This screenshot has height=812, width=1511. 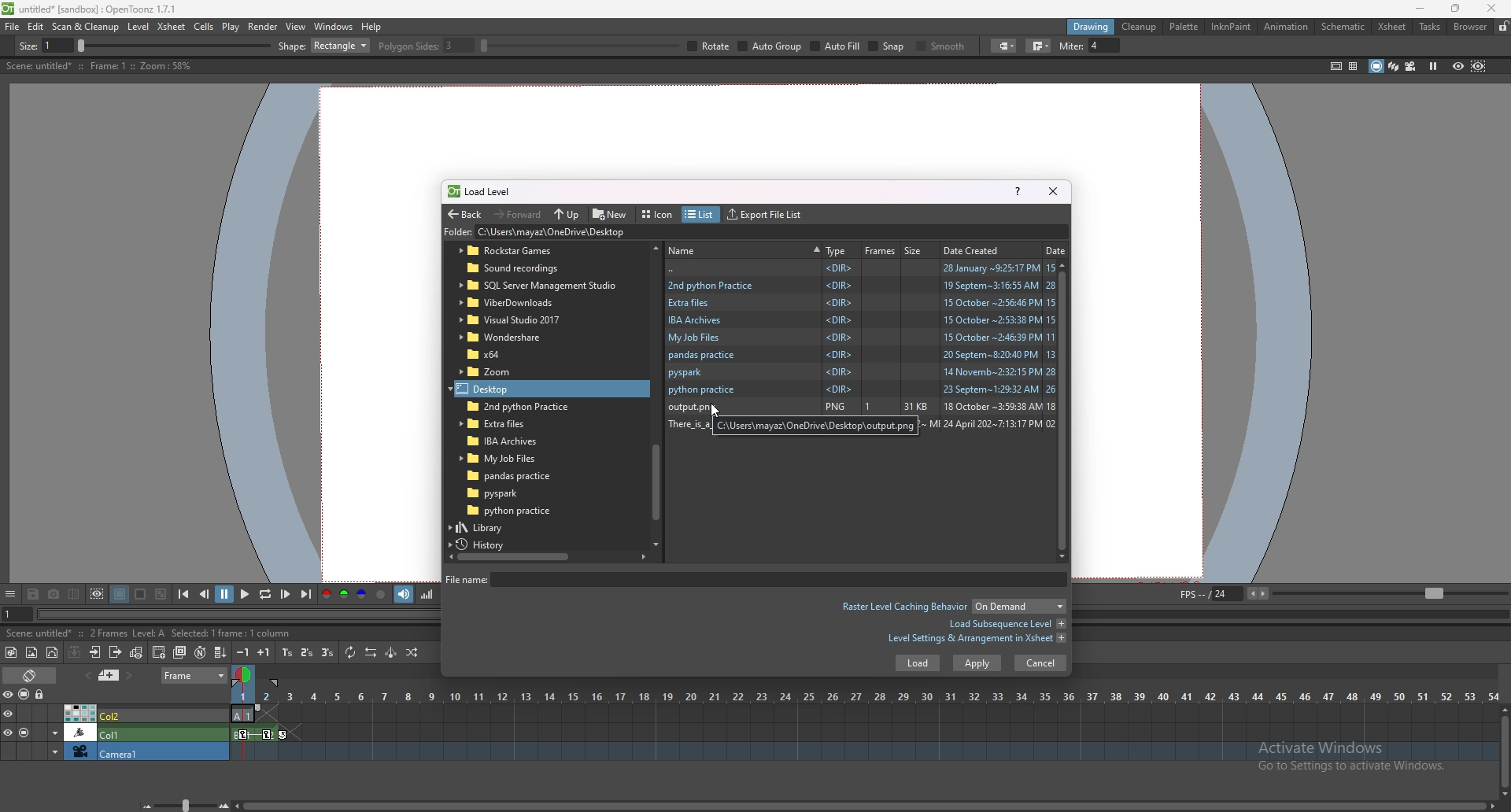 I want to click on open x subsheet, so click(x=95, y=652).